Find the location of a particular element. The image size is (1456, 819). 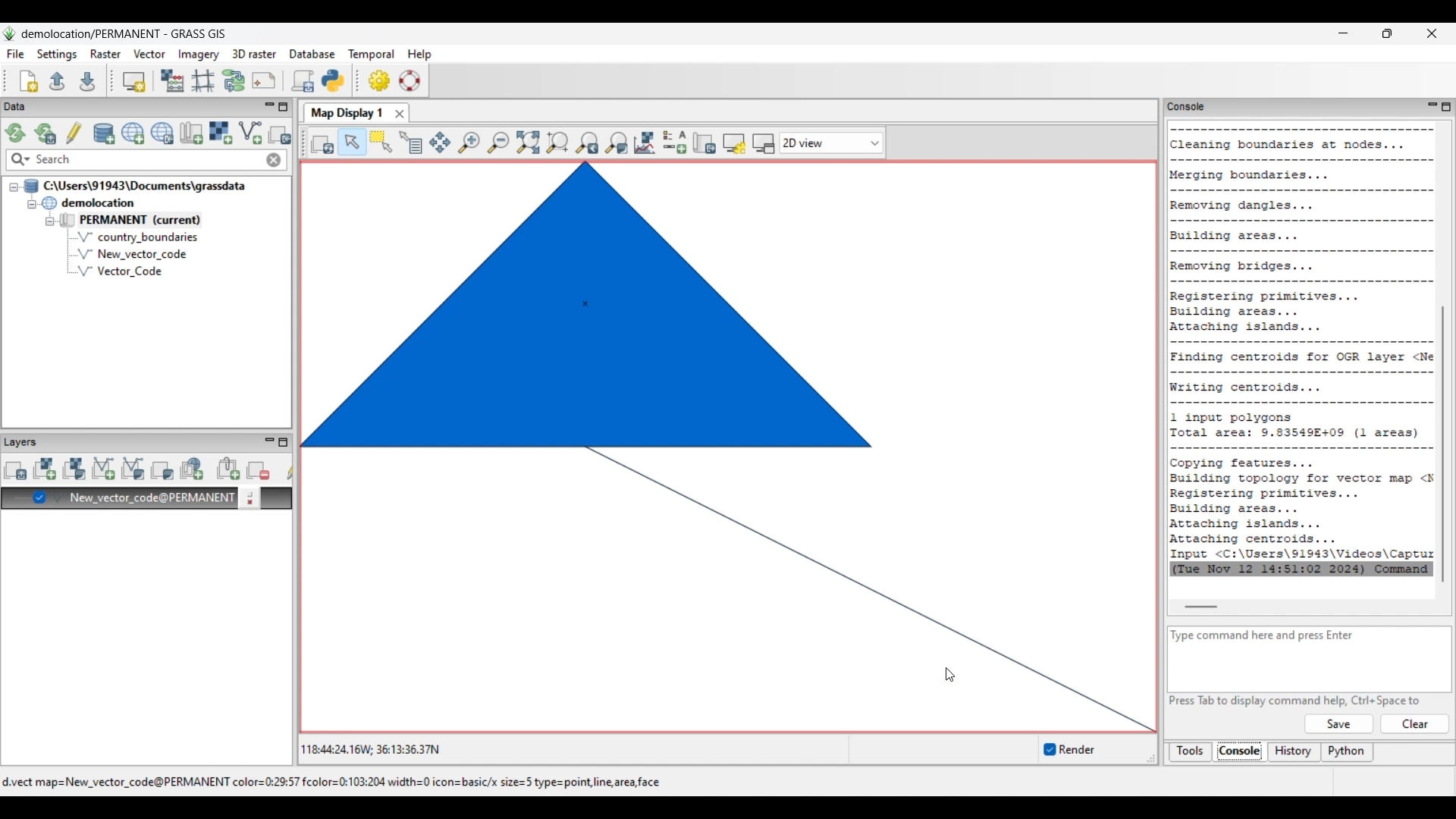

Close interface is located at coordinates (1431, 33).